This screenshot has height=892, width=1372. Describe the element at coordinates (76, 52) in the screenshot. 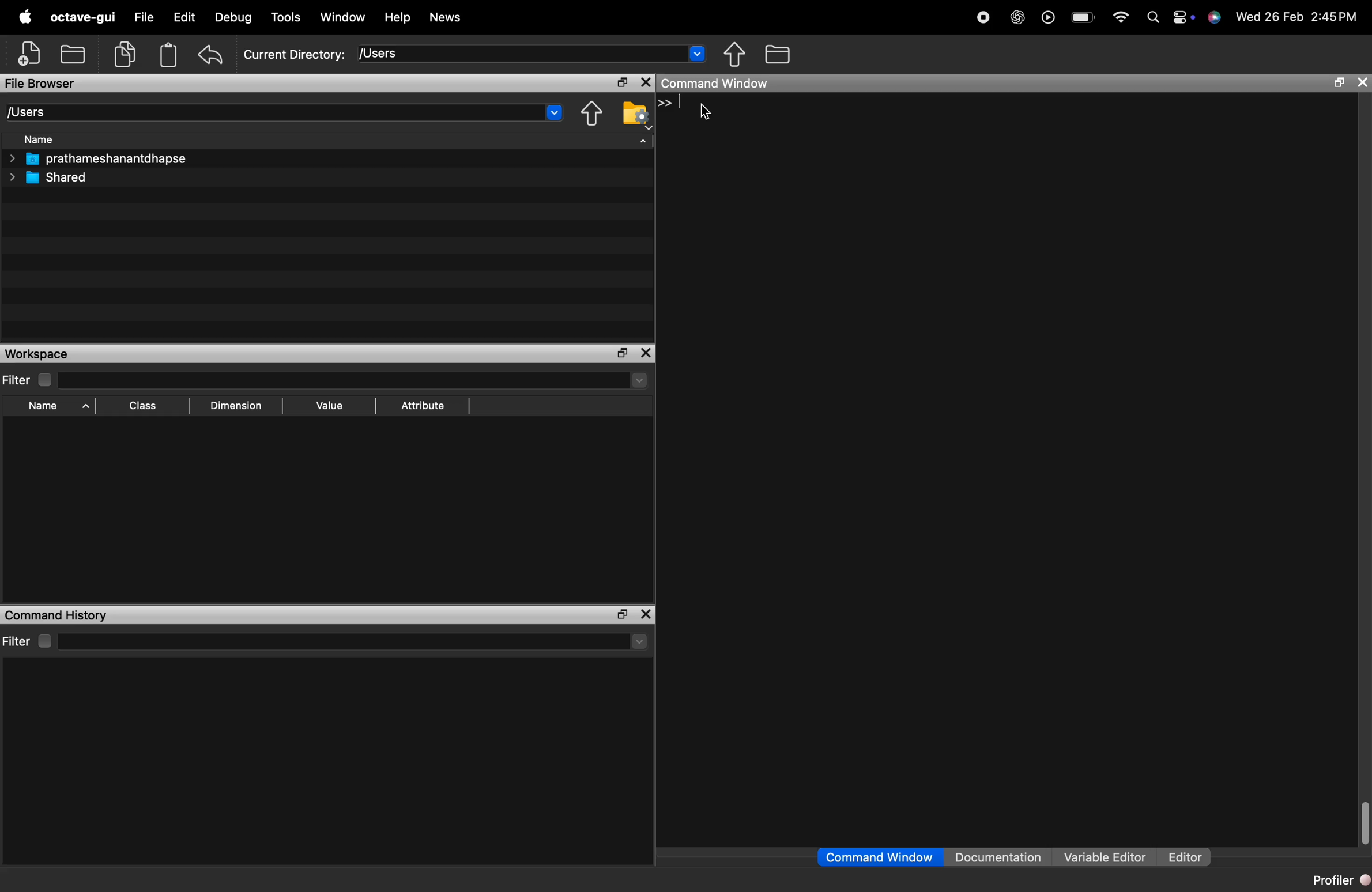

I see `save` at that location.